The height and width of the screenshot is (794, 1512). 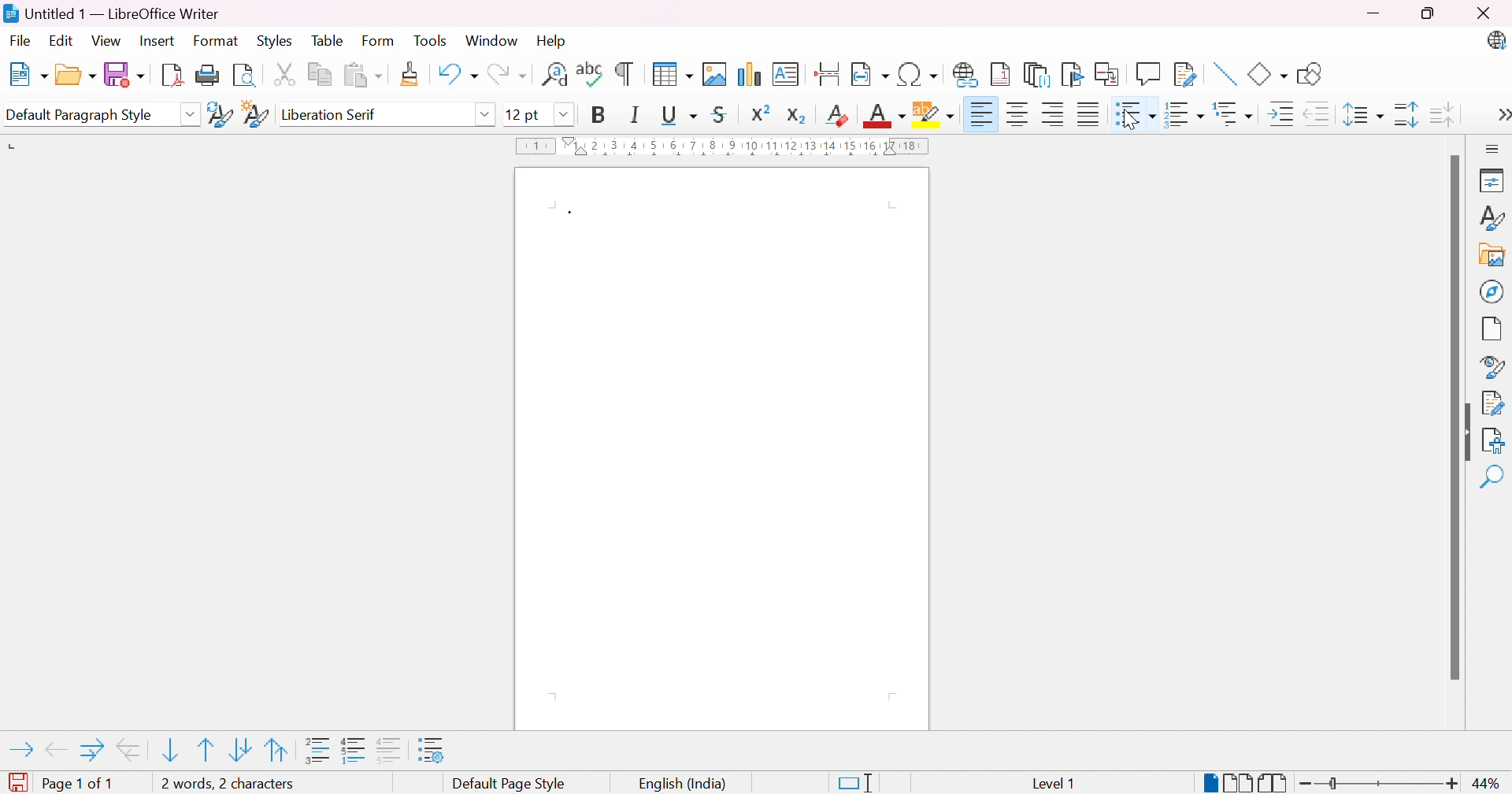 I want to click on Drop down, so click(x=568, y=116).